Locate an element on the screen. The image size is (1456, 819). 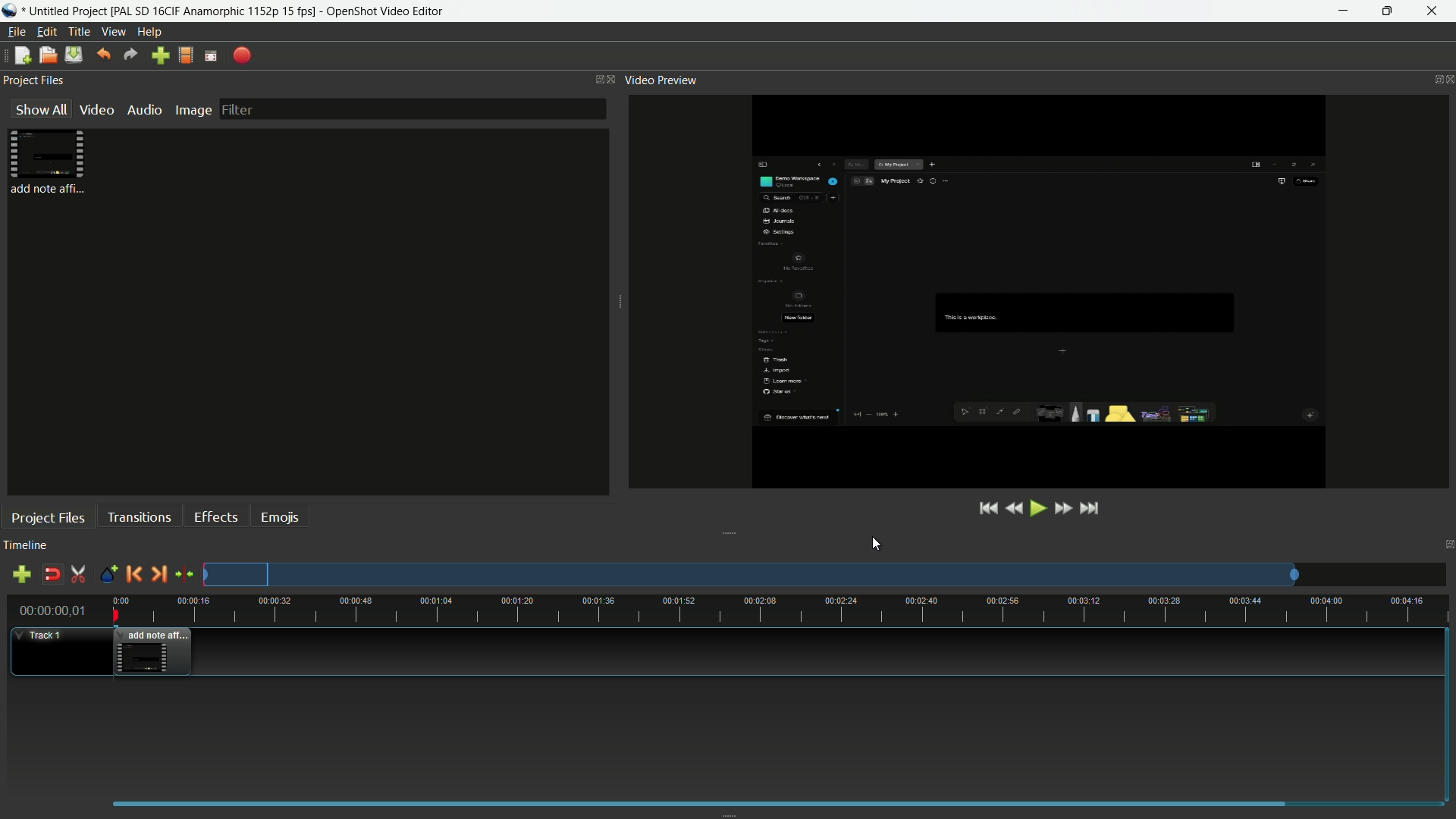
new file is located at coordinates (22, 55).